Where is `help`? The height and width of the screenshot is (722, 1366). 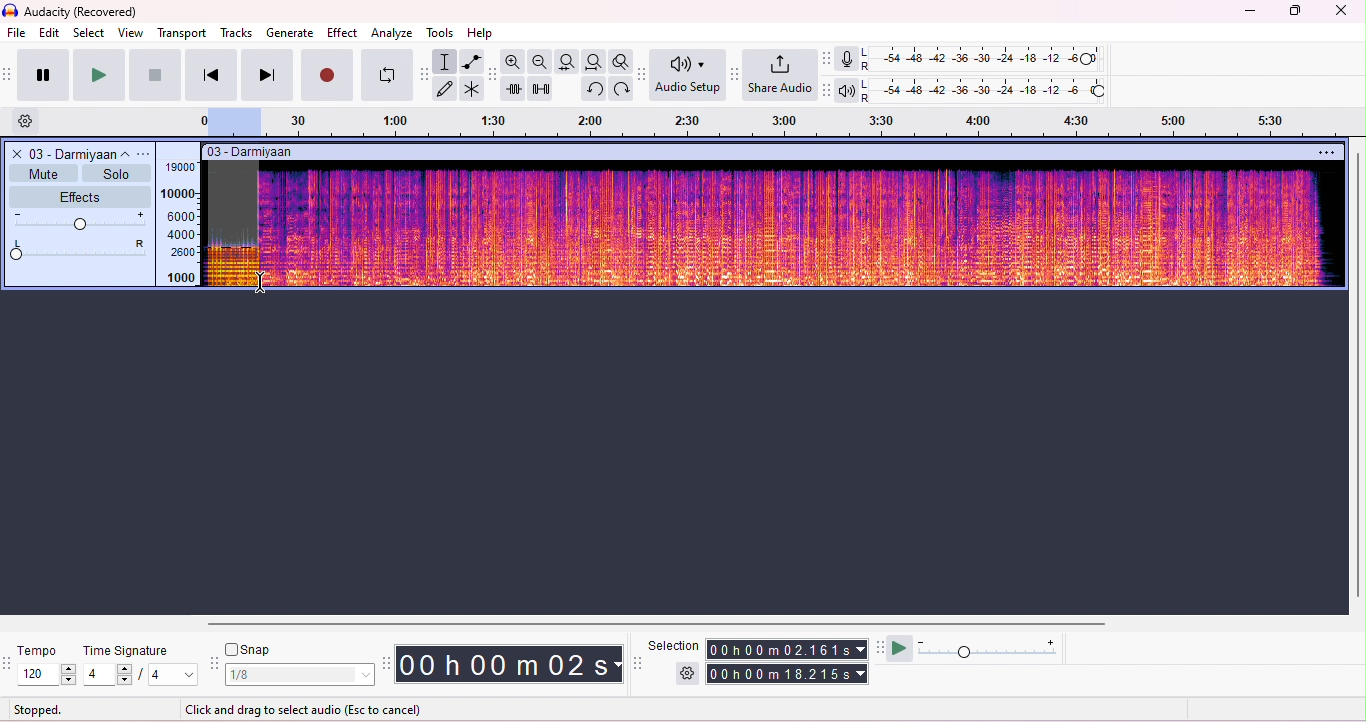 help is located at coordinates (482, 32).